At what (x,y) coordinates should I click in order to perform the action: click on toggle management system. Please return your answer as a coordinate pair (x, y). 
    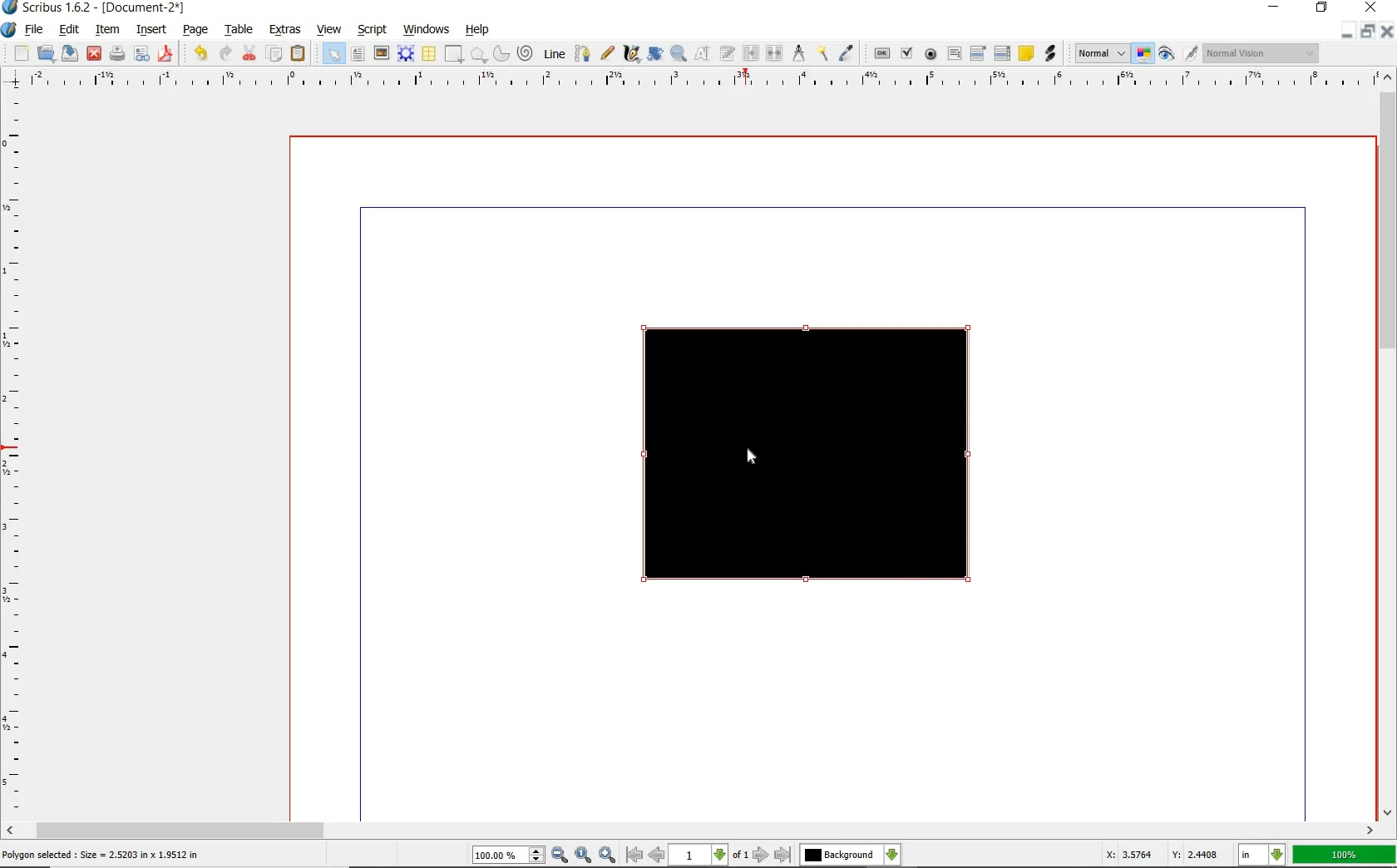
    Looking at the image, I should click on (1143, 55).